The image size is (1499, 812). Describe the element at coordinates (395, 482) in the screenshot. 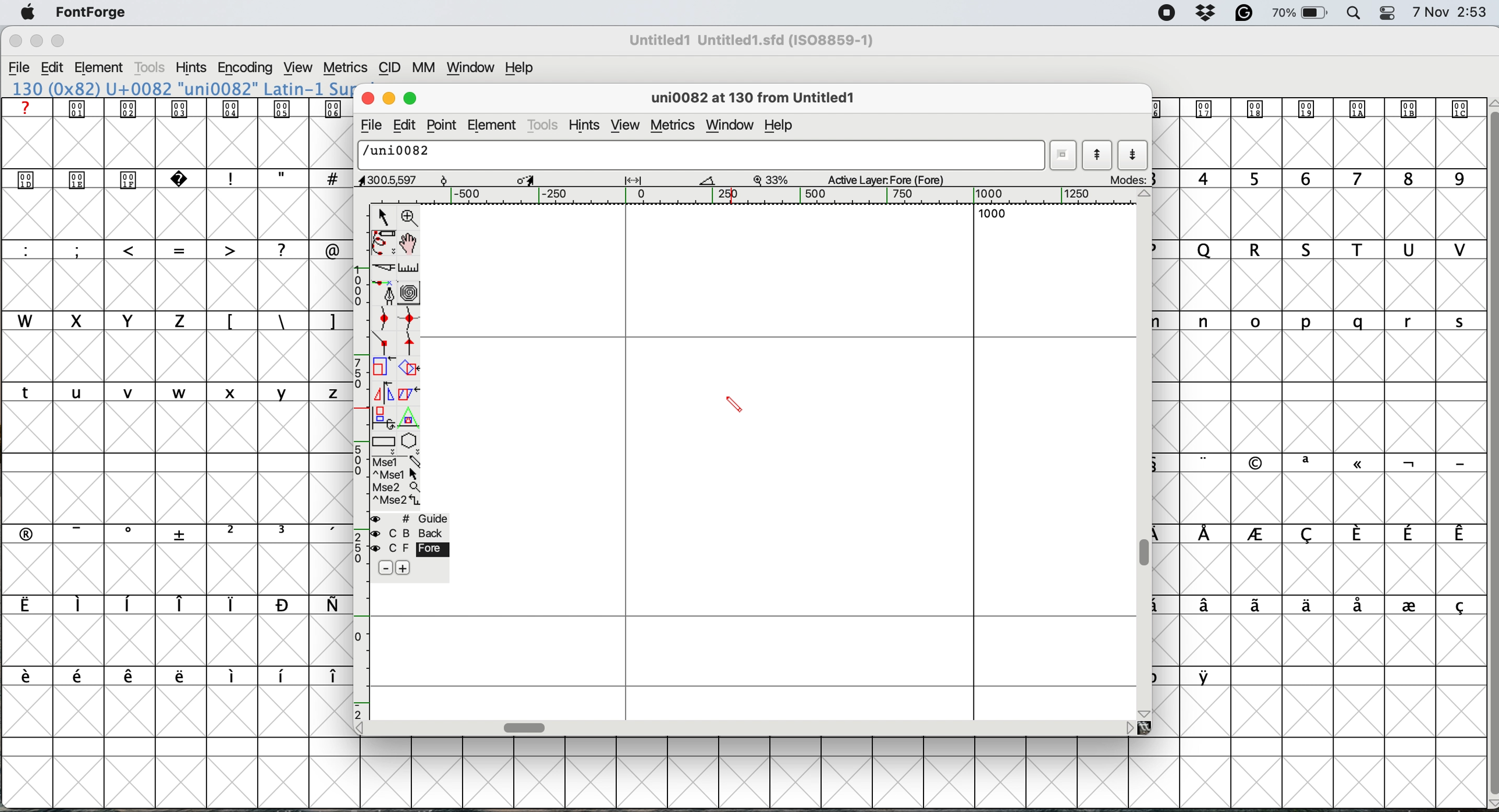

I see `more options` at that location.